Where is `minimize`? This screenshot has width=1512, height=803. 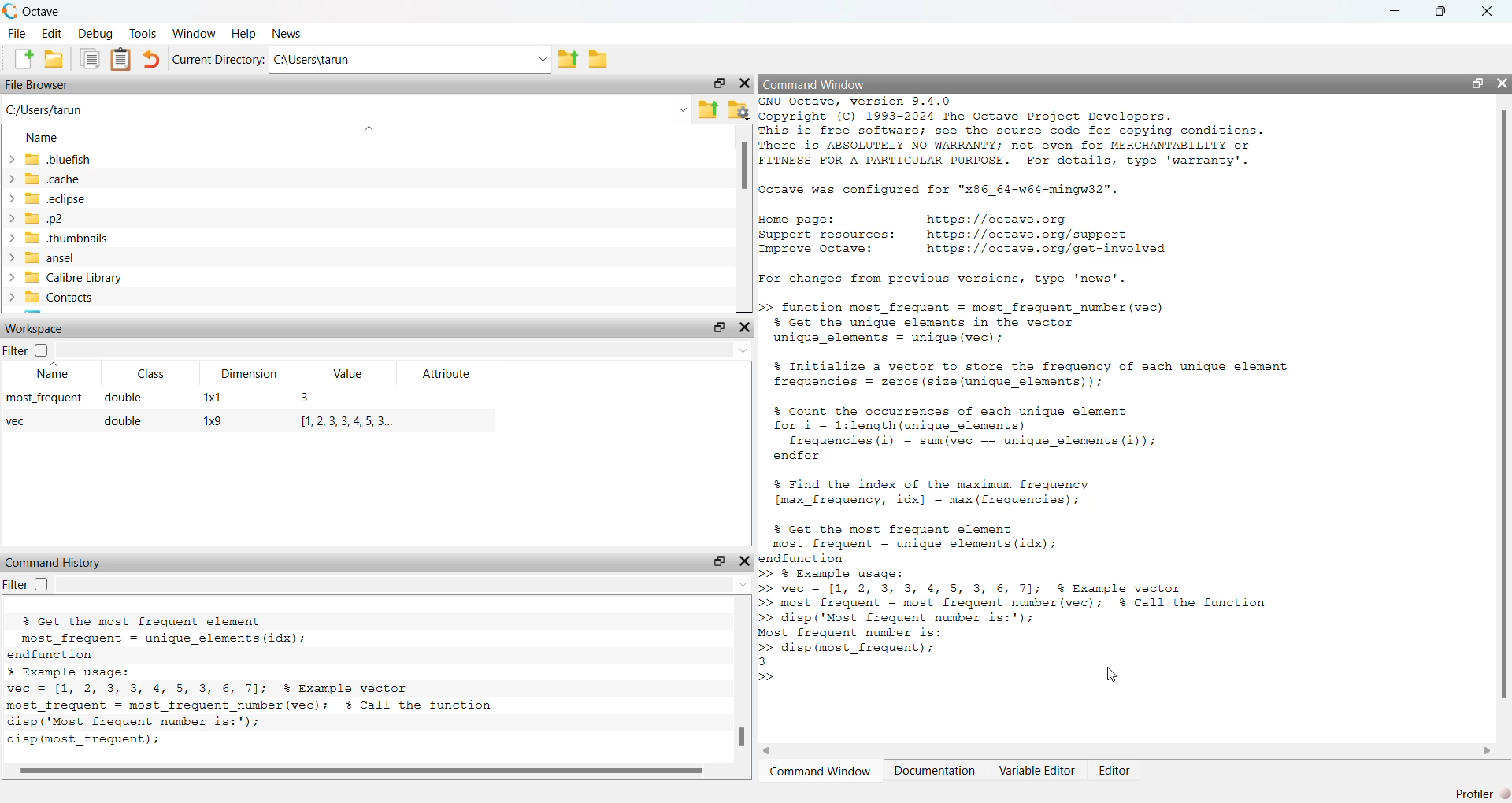
minimize is located at coordinates (1396, 11).